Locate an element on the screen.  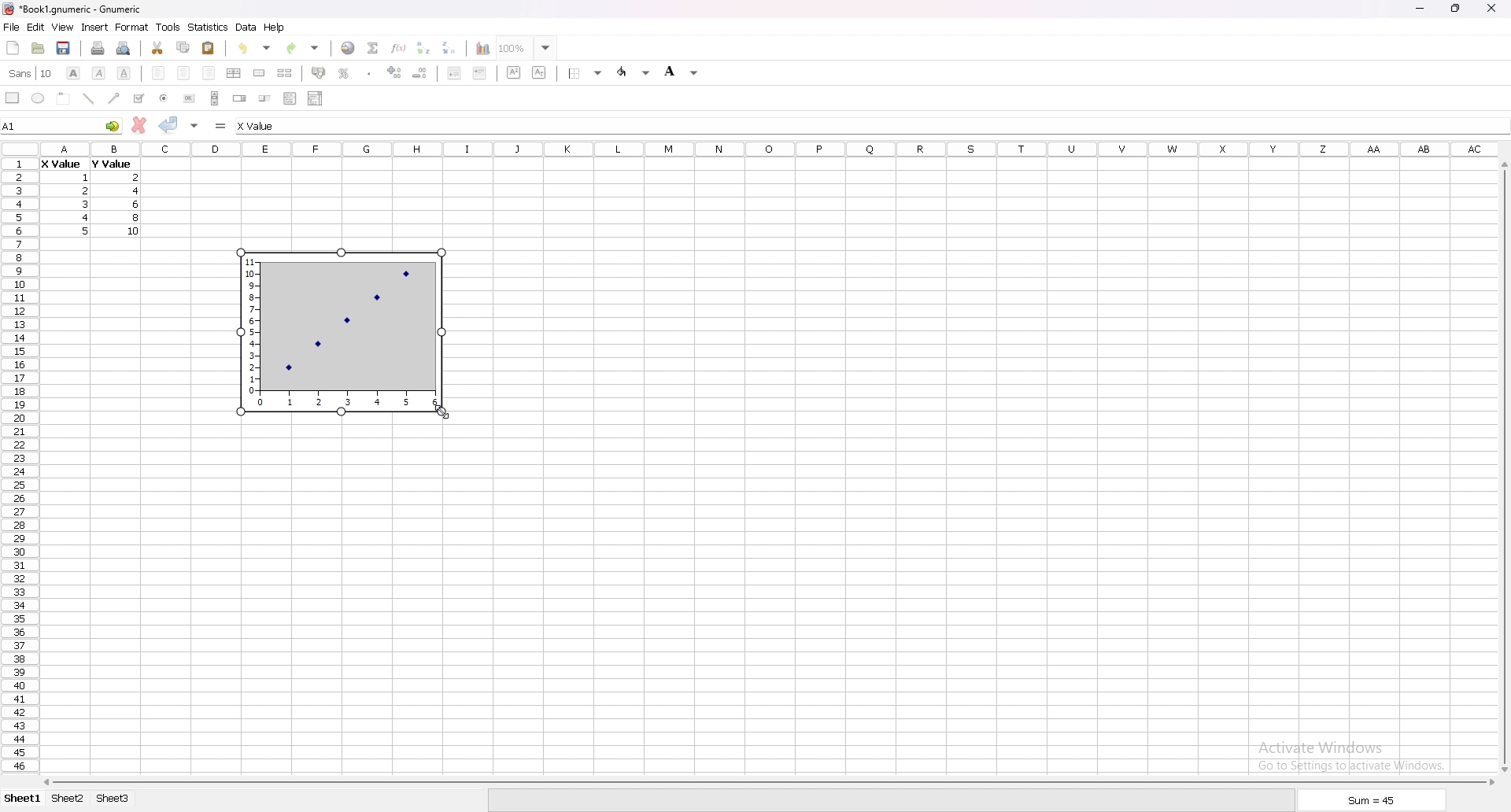
rows is located at coordinates (17, 463).